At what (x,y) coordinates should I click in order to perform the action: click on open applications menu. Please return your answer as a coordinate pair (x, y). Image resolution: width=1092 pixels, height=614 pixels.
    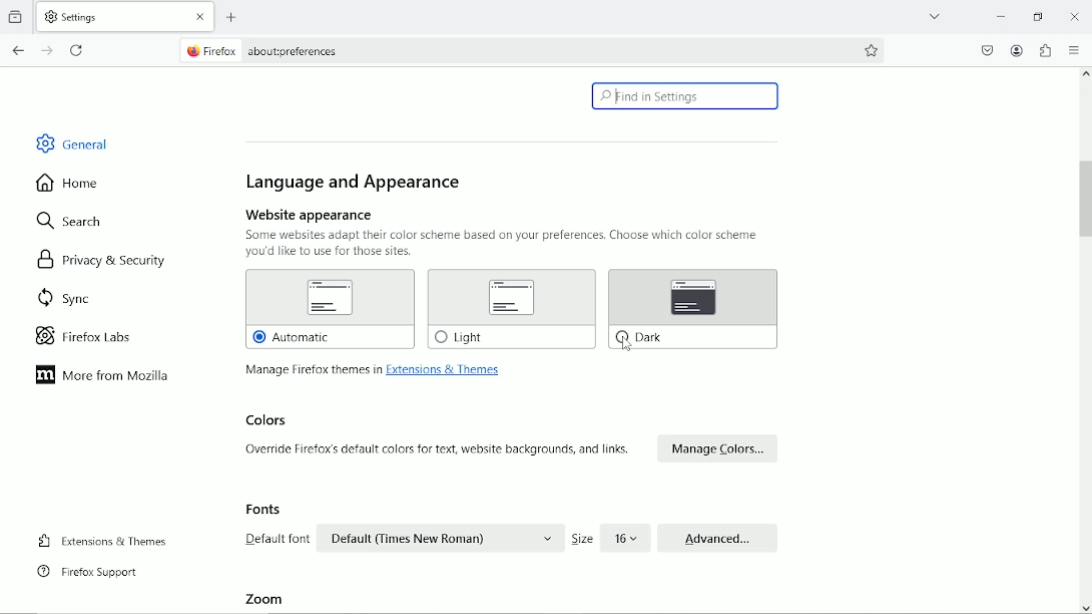
    Looking at the image, I should click on (1074, 51).